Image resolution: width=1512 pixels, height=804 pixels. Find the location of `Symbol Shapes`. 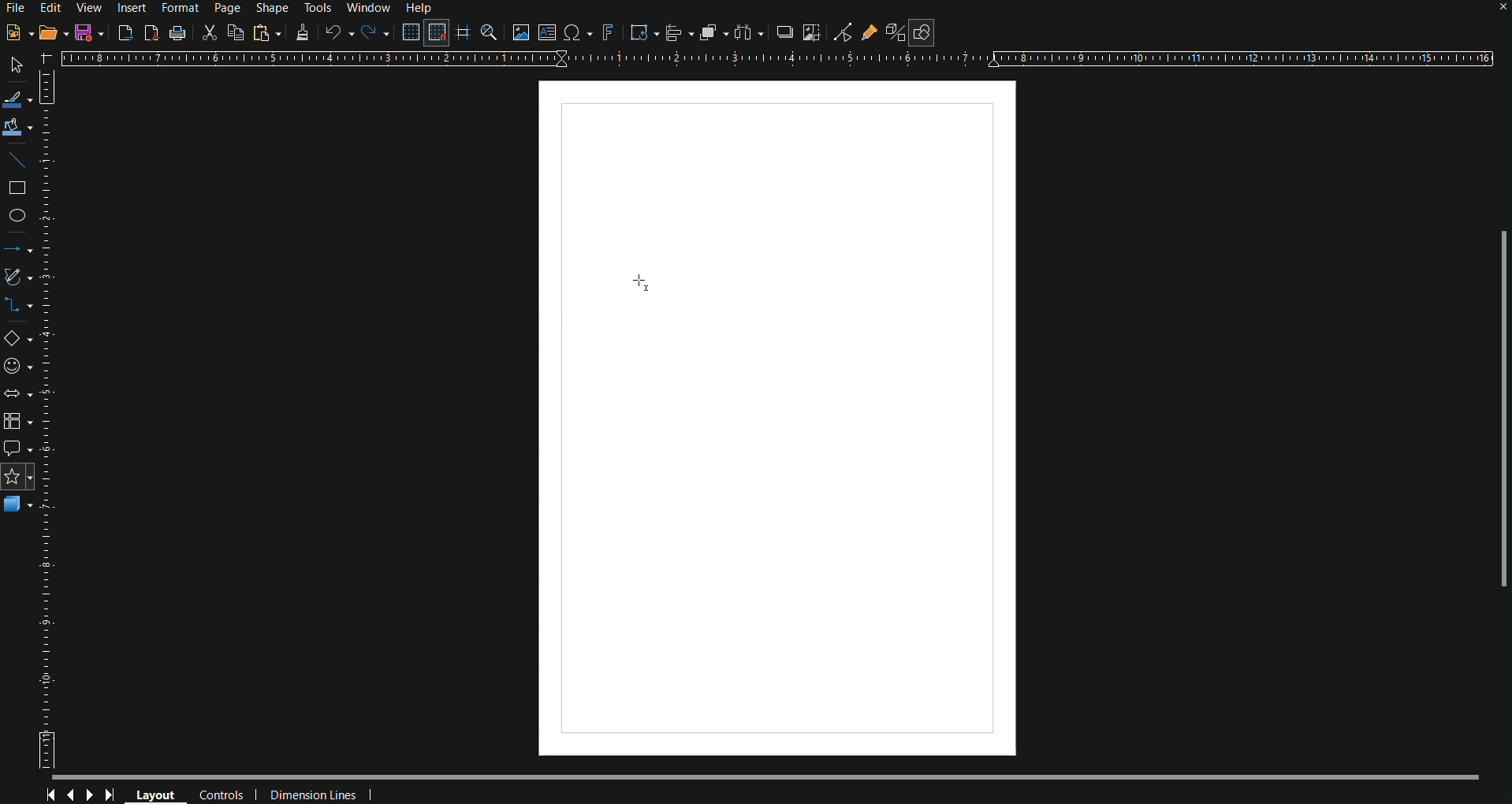

Symbol Shapes is located at coordinates (20, 367).